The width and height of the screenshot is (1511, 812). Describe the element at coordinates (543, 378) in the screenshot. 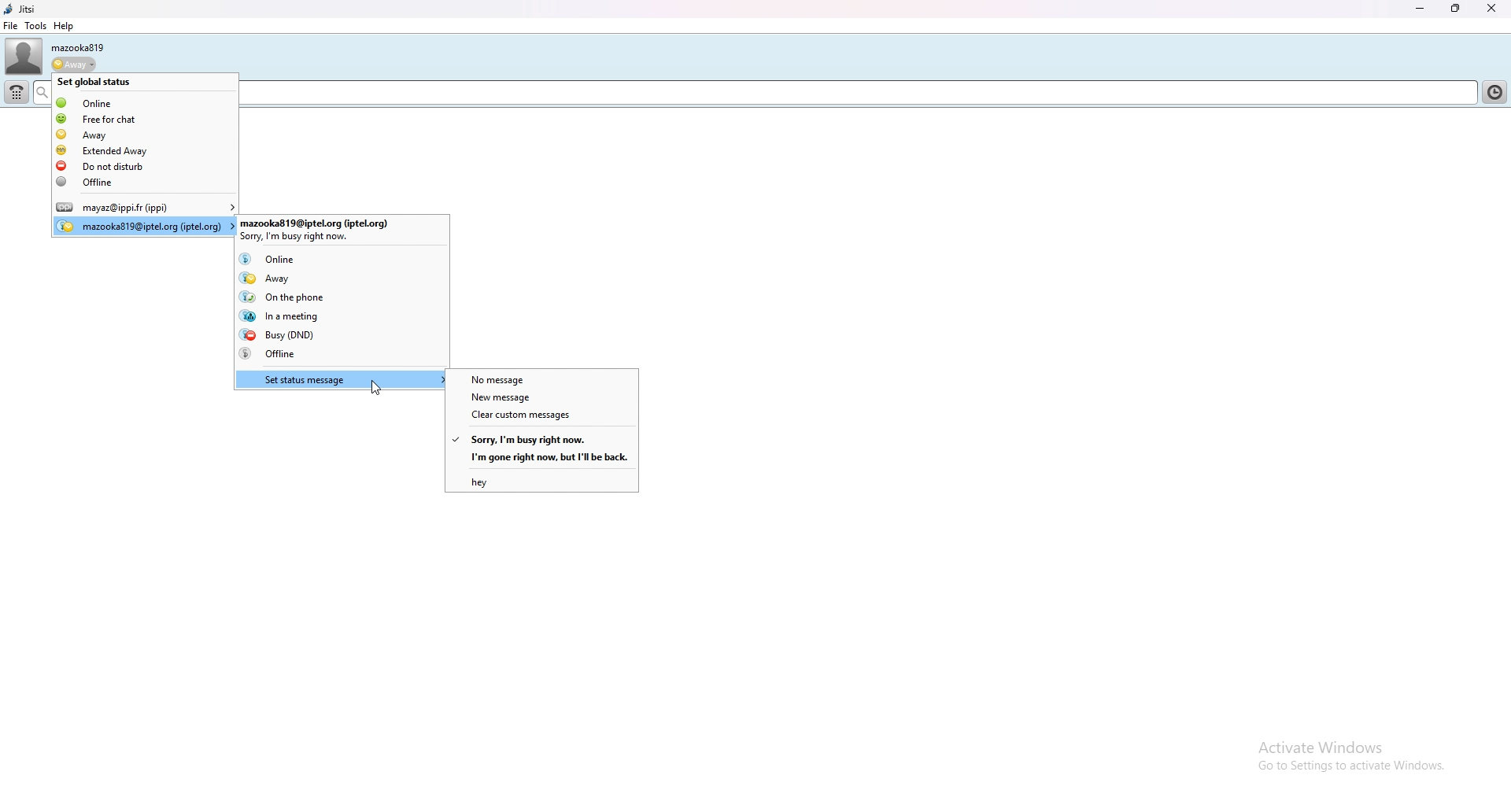

I see `no message` at that location.